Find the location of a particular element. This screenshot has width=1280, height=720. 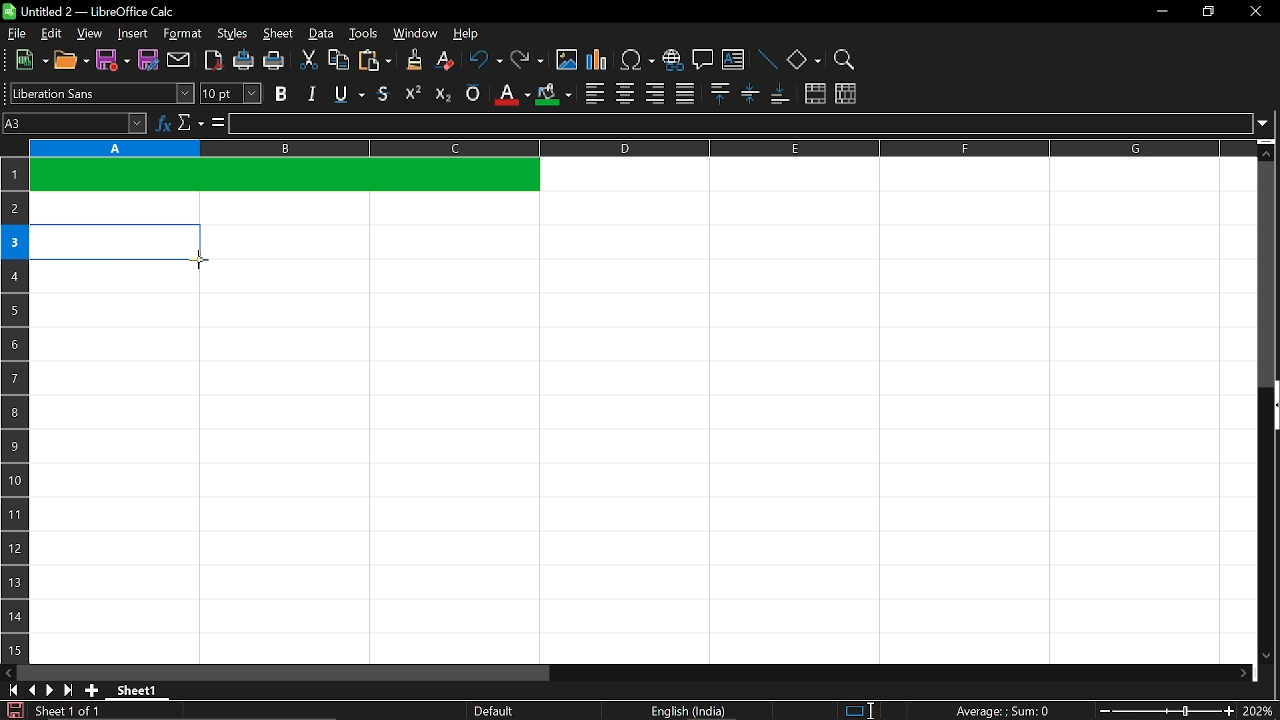

print is located at coordinates (275, 61).